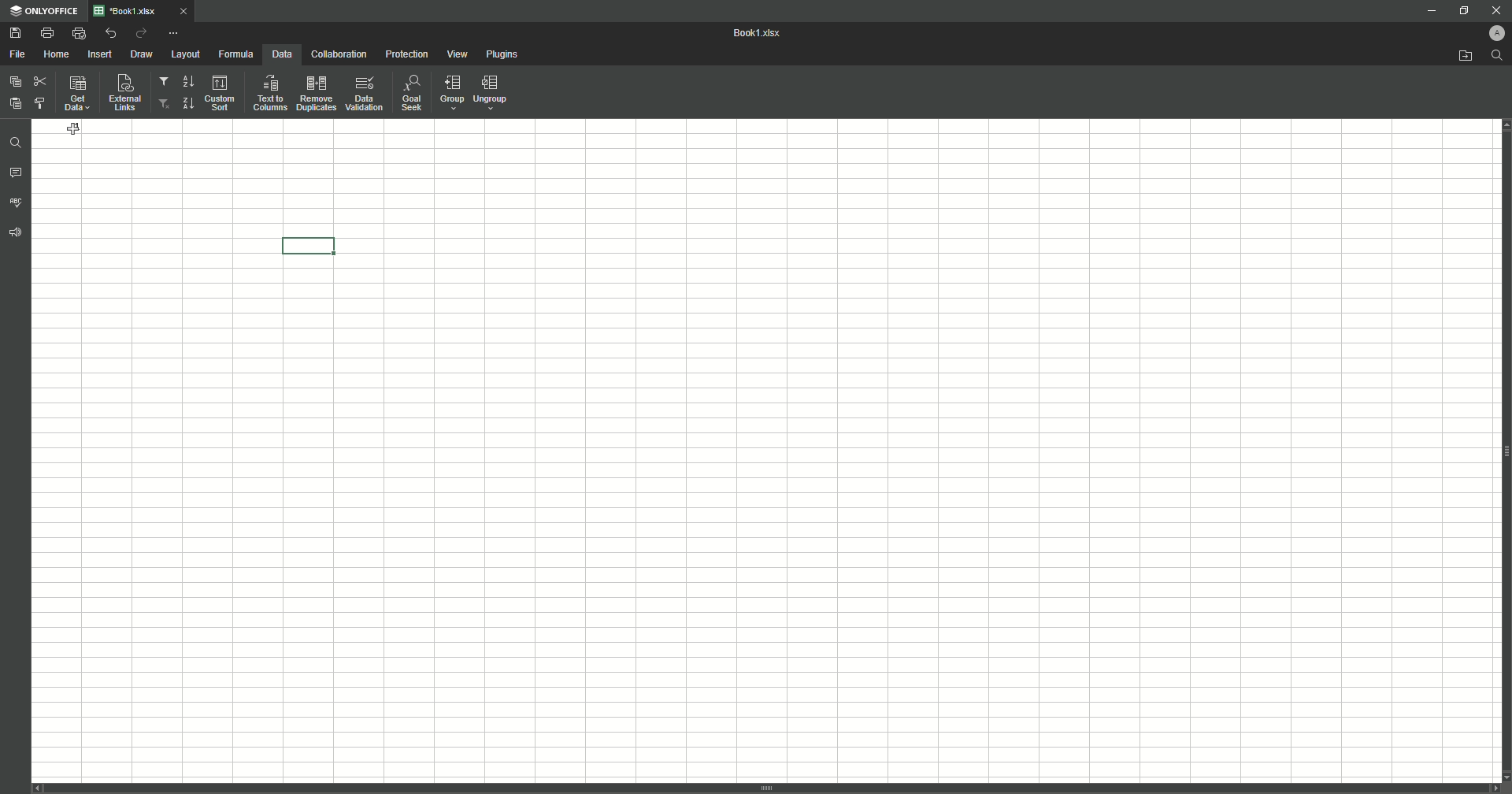 The image size is (1512, 794). I want to click on Comments, so click(17, 175).